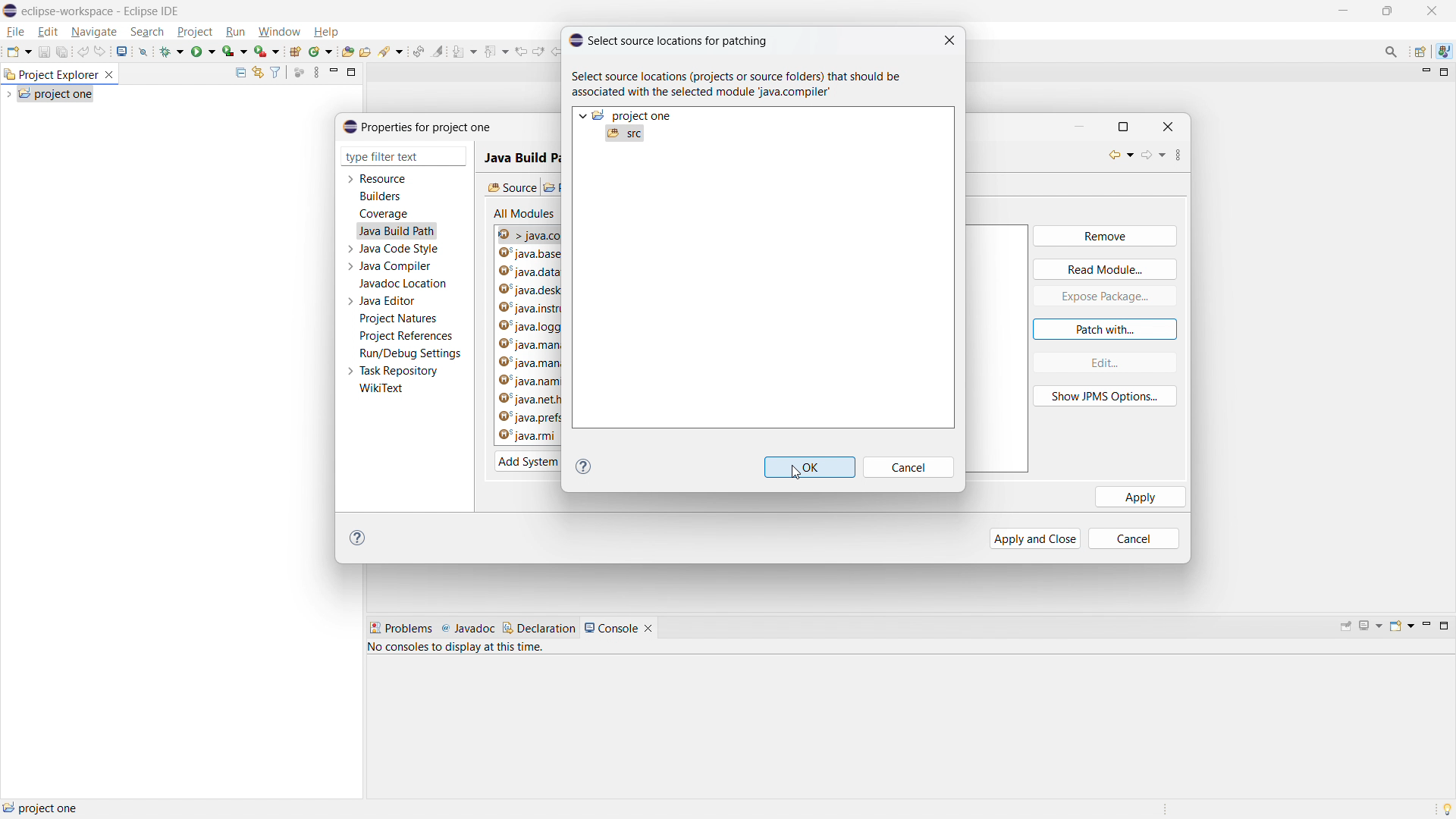 This screenshot has width=1456, height=819. What do you see at coordinates (11, 11) in the screenshot?
I see `logo` at bounding box center [11, 11].